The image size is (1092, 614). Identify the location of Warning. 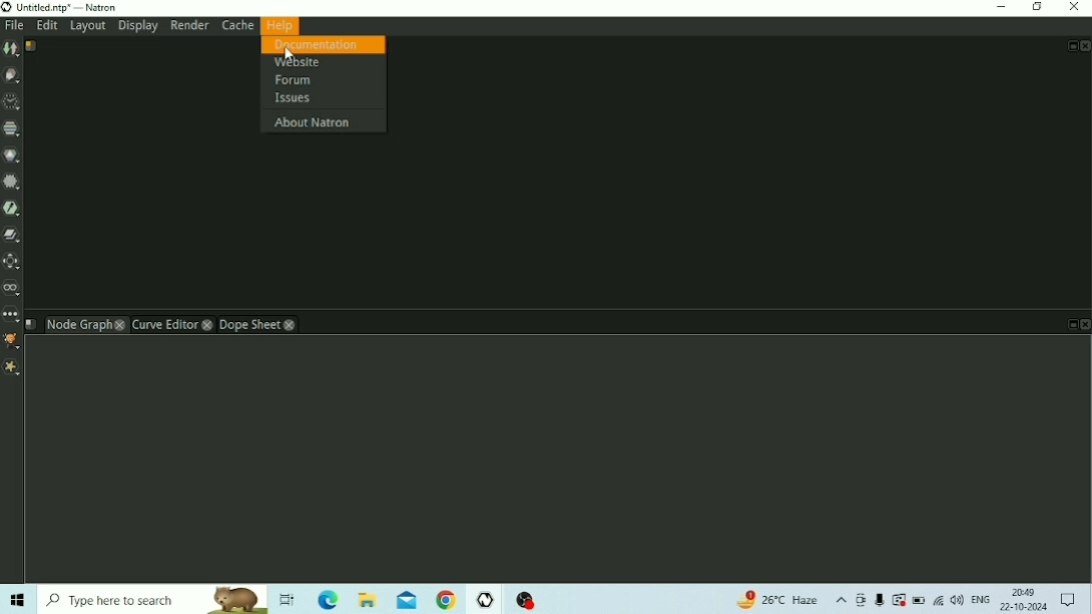
(897, 599).